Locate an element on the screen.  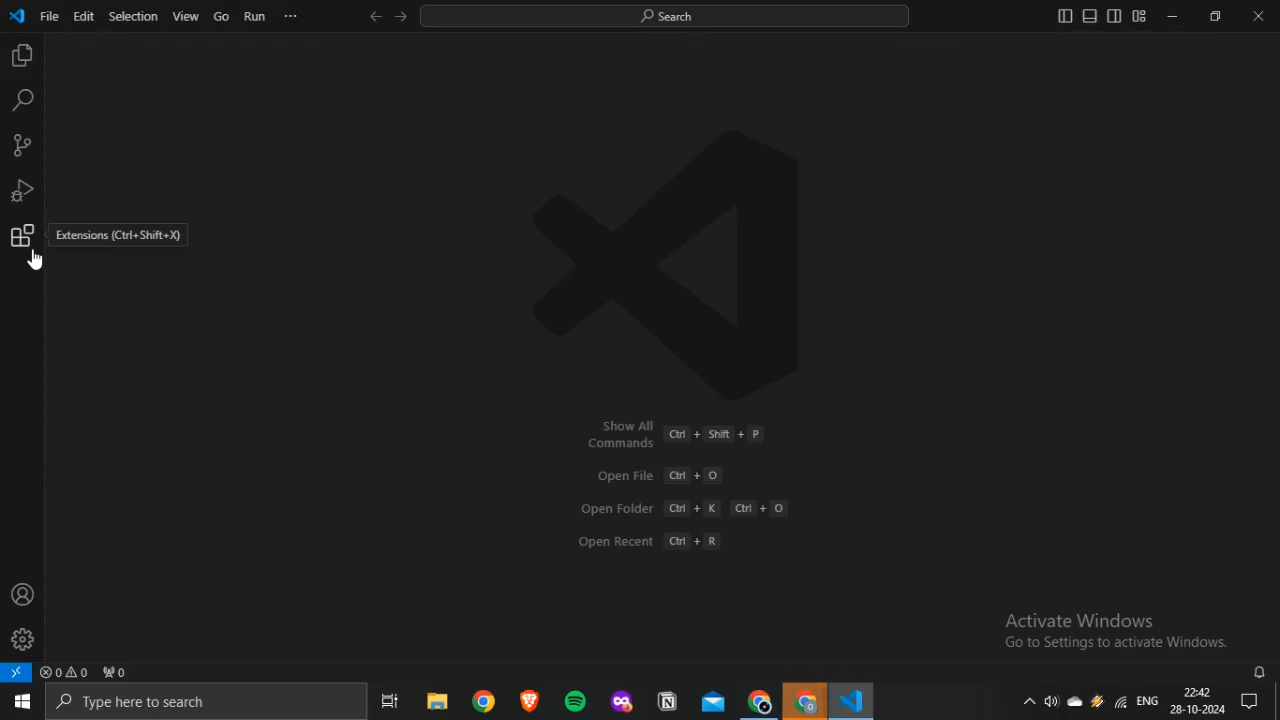
brave is located at coordinates (530, 699).